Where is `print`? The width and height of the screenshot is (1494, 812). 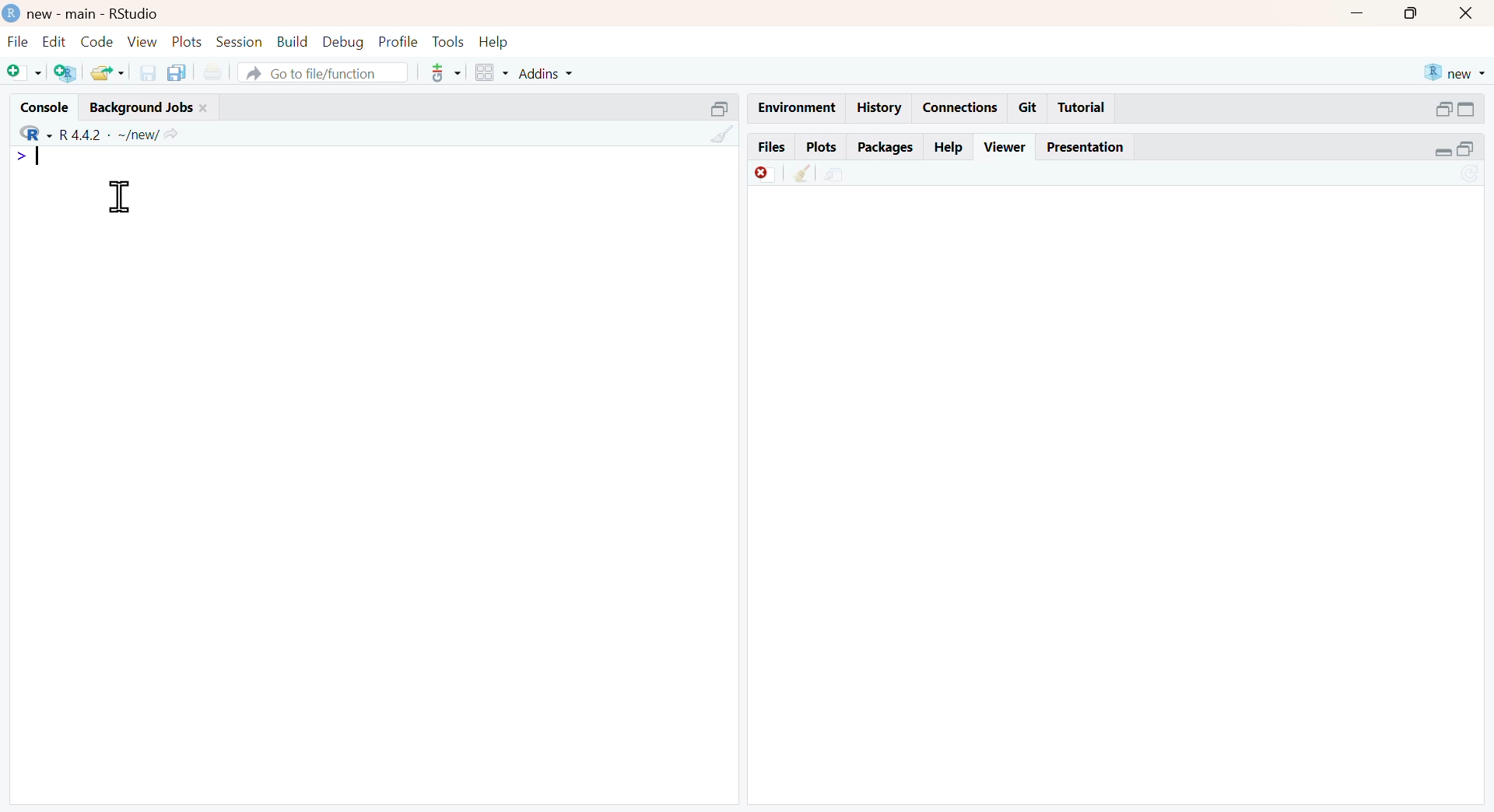 print is located at coordinates (214, 70).